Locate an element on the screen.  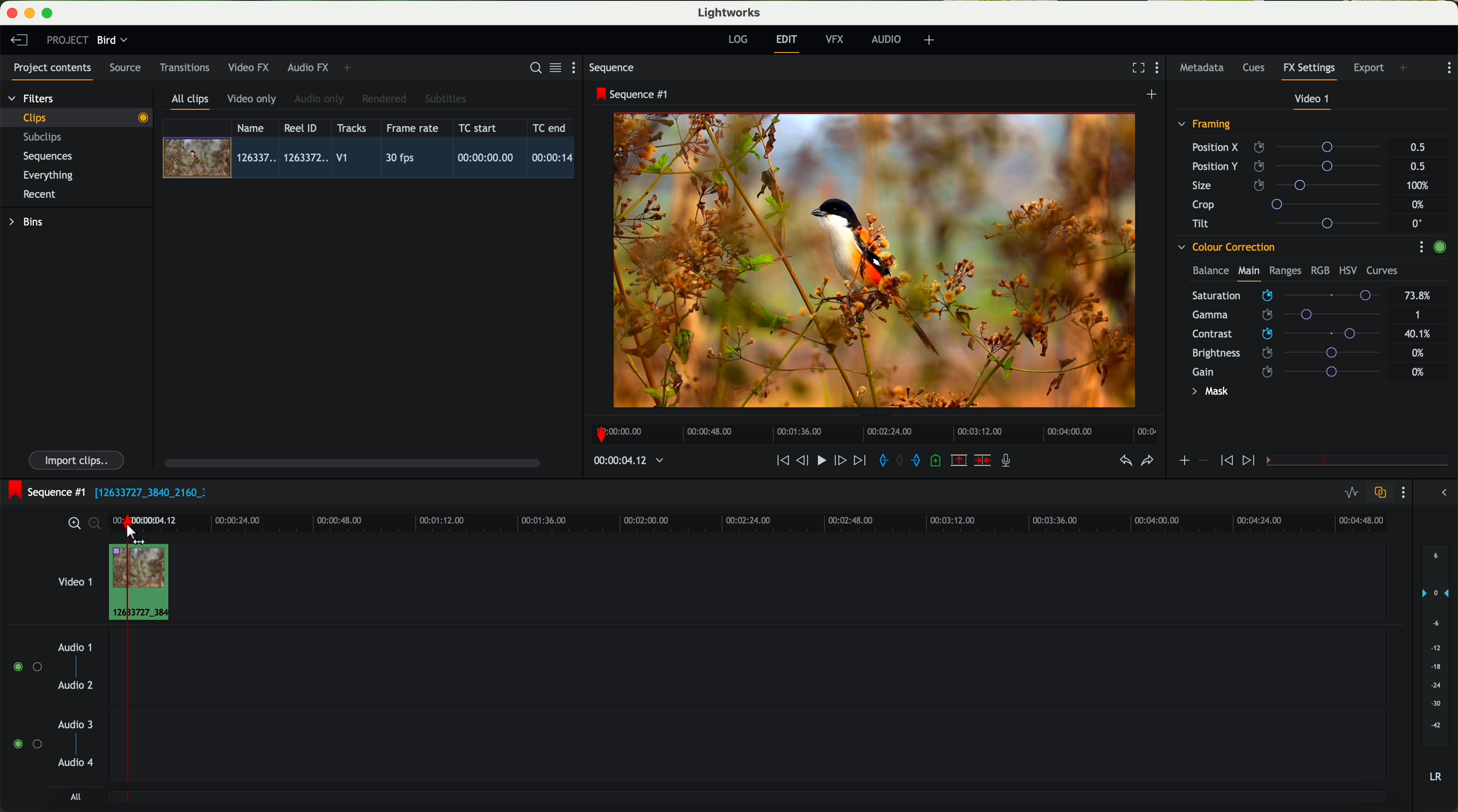
video 1 is located at coordinates (74, 579).